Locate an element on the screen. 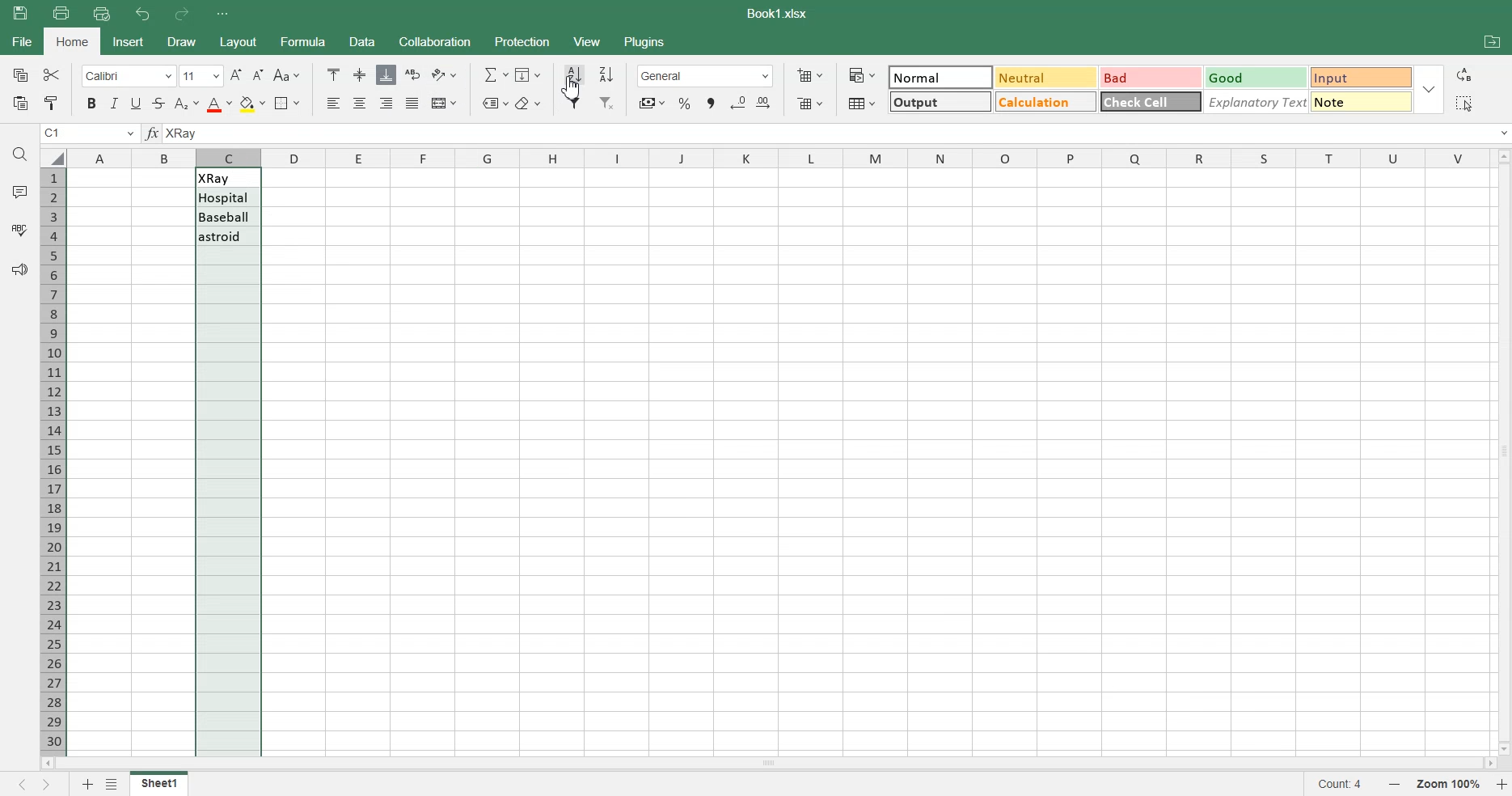  Align Right is located at coordinates (387, 103).